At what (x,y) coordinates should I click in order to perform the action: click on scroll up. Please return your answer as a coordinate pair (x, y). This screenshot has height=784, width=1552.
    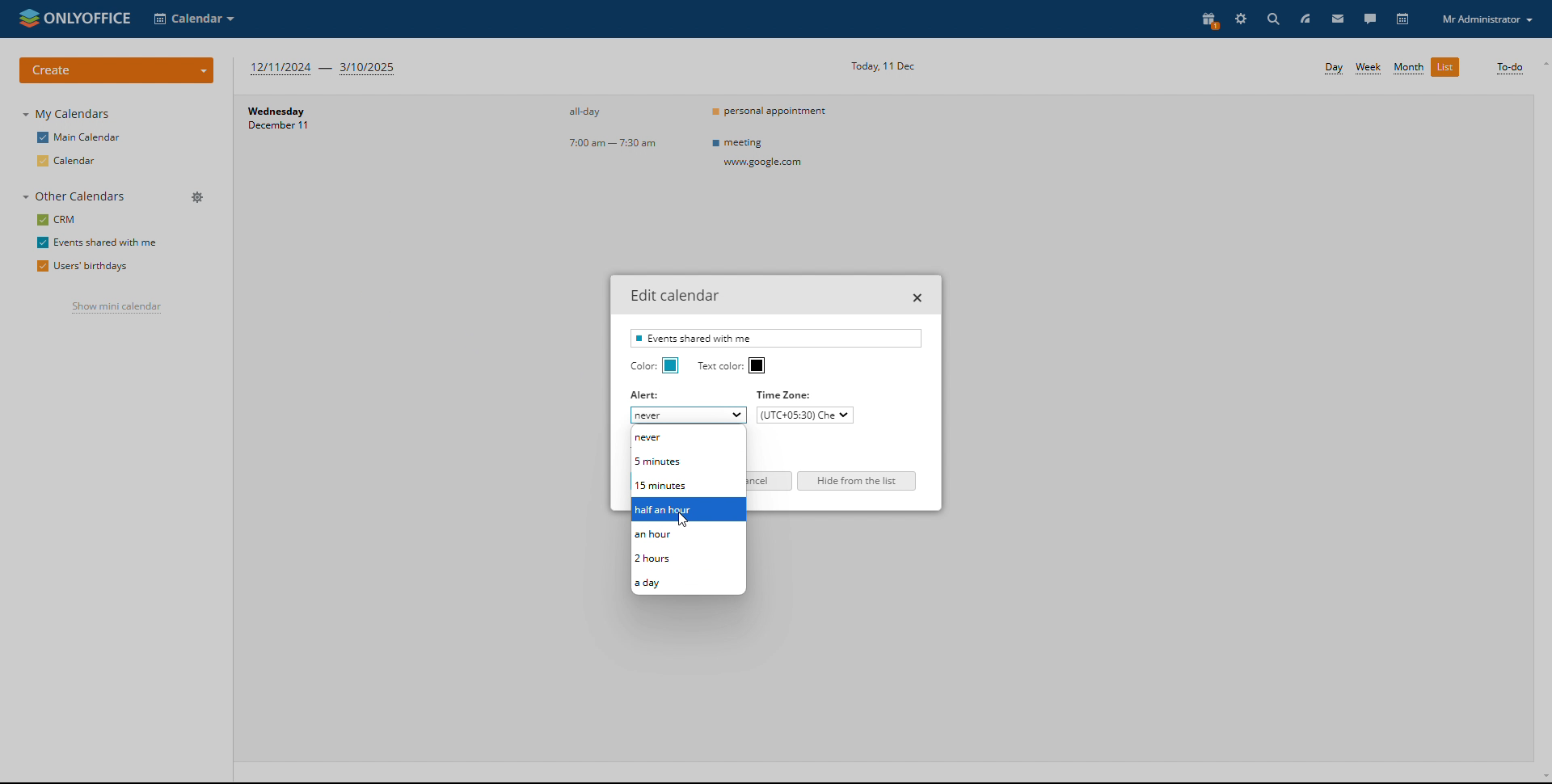
    Looking at the image, I should click on (1542, 64).